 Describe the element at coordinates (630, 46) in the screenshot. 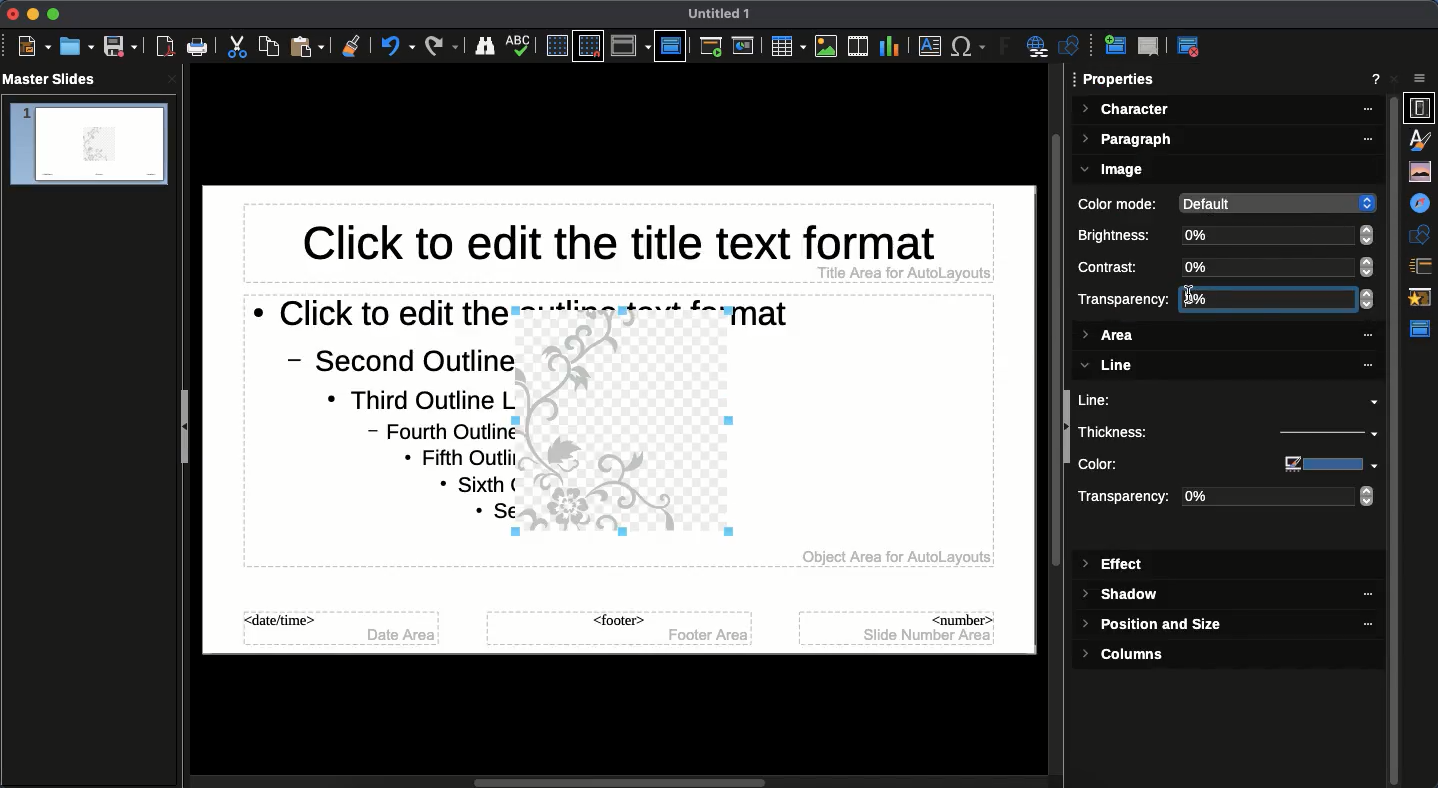

I see `Display view` at that location.